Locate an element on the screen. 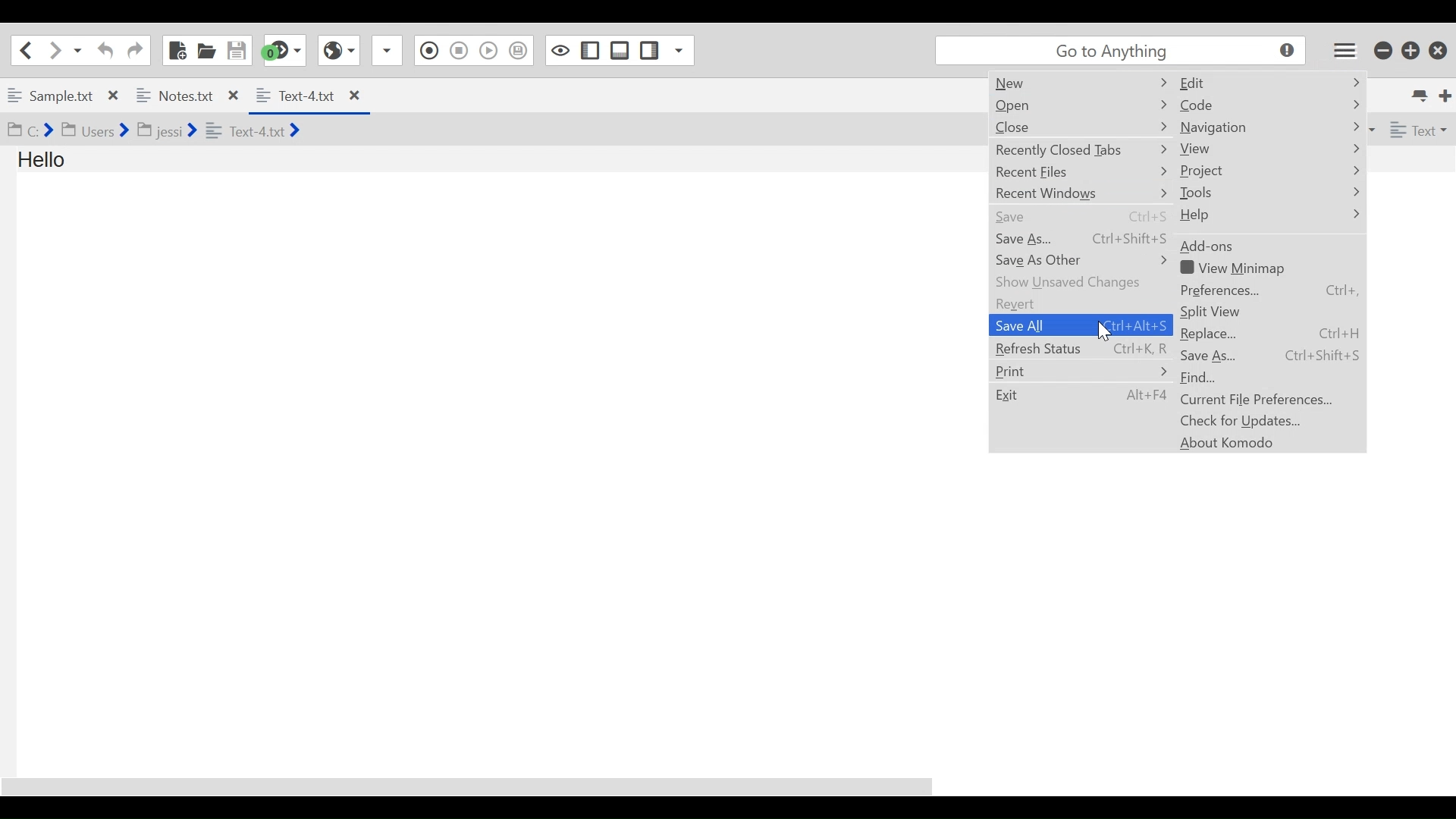 This screenshot has height=819, width=1456. Recent Windows is located at coordinates (1080, 193).